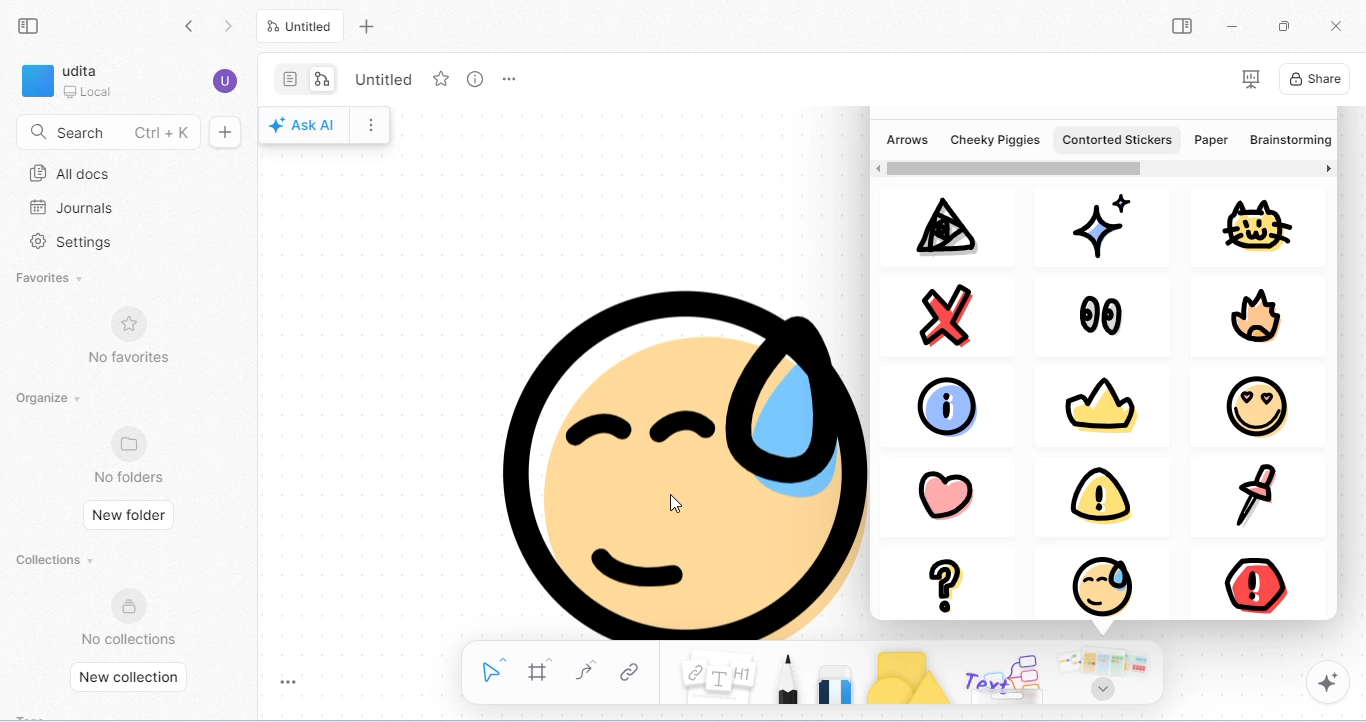 This screenshot has width=1366, height=722. Describe the element at coordinates (1007, 677) in the screenshot. I see `others` at that location.